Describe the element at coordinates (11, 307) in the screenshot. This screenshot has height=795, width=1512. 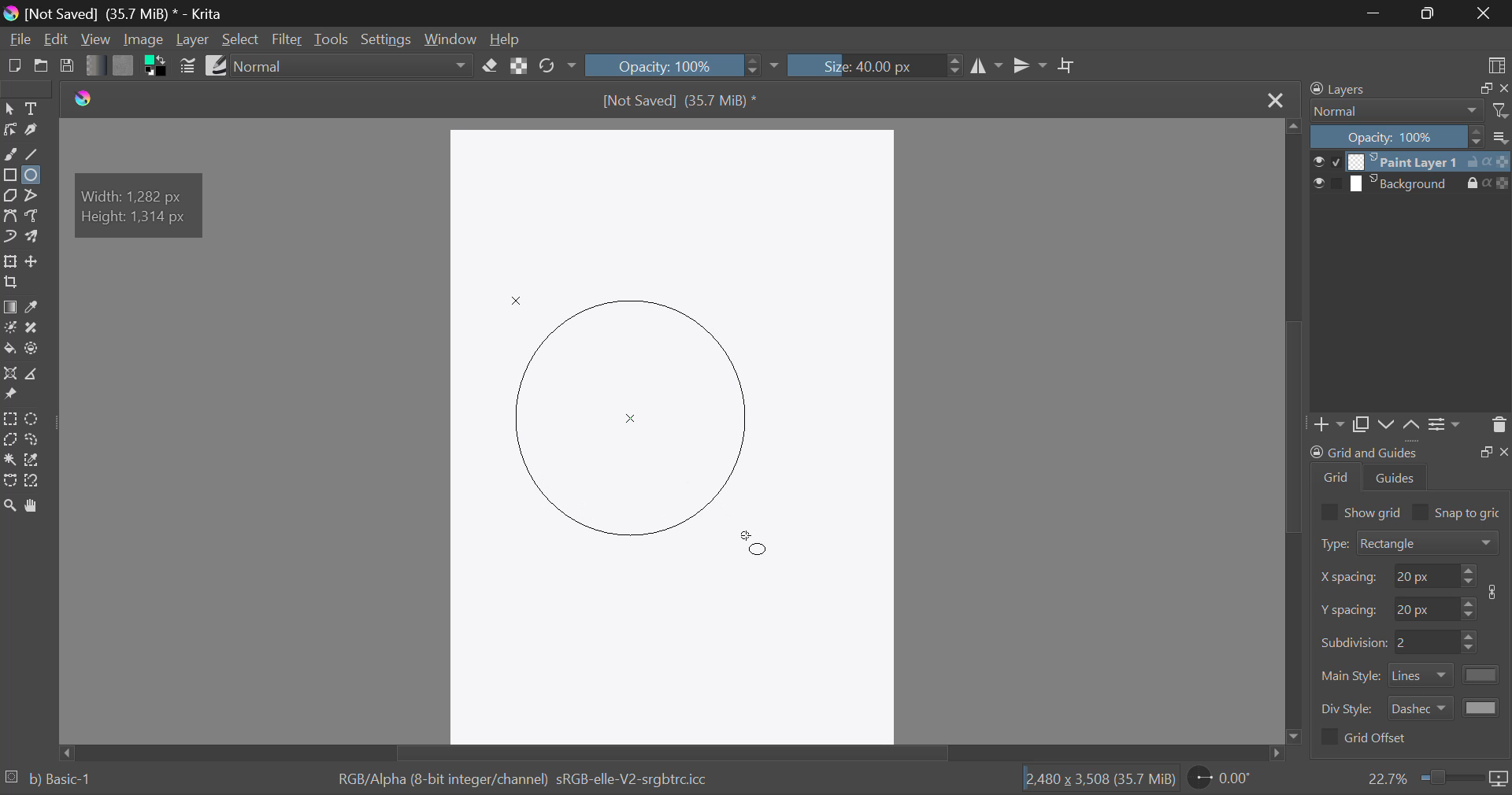
I see `Gradient Fill` at that location.